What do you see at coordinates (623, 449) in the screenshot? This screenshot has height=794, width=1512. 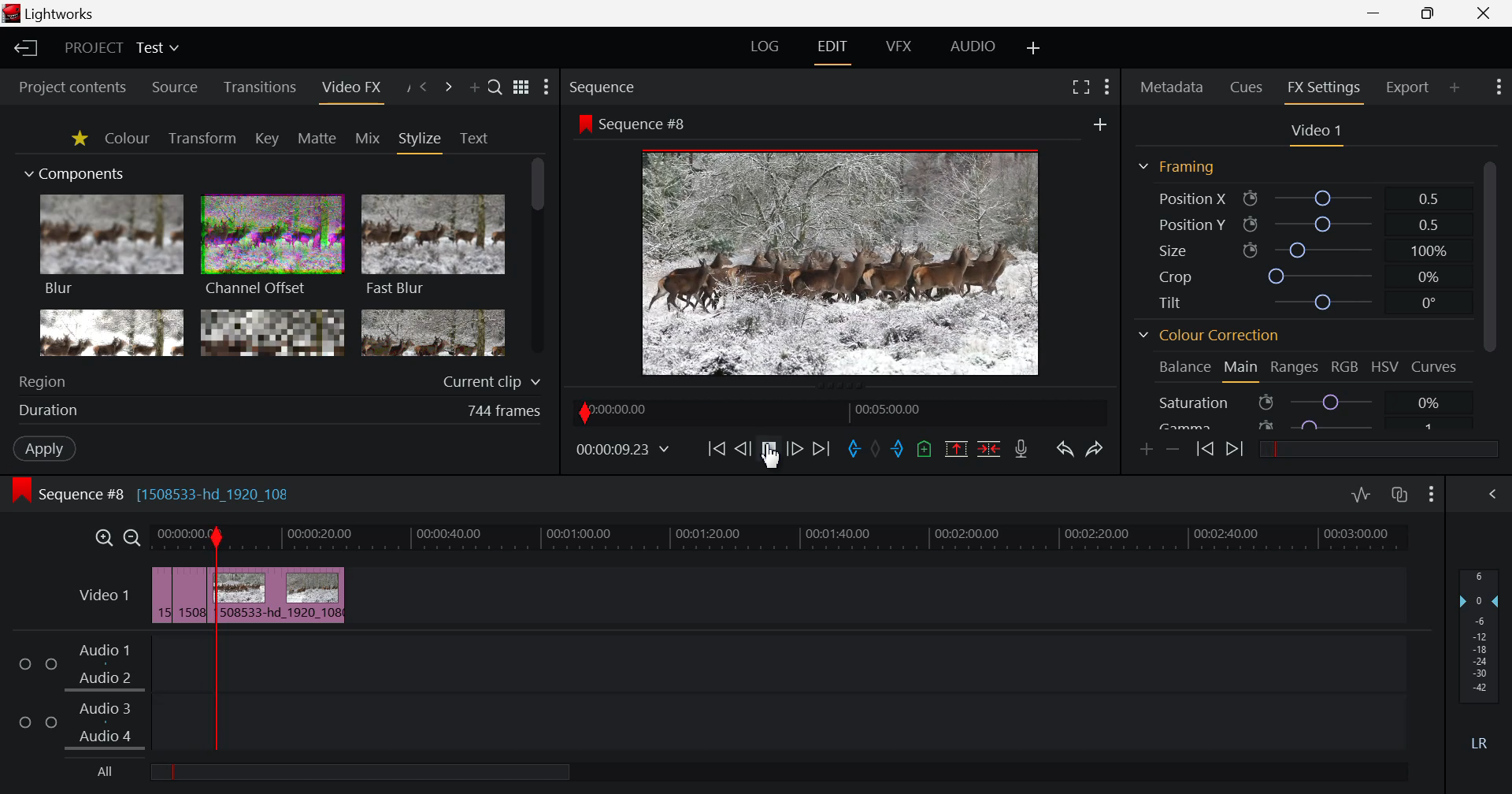 I see `Frame Time` at bounding box center [623, 449].